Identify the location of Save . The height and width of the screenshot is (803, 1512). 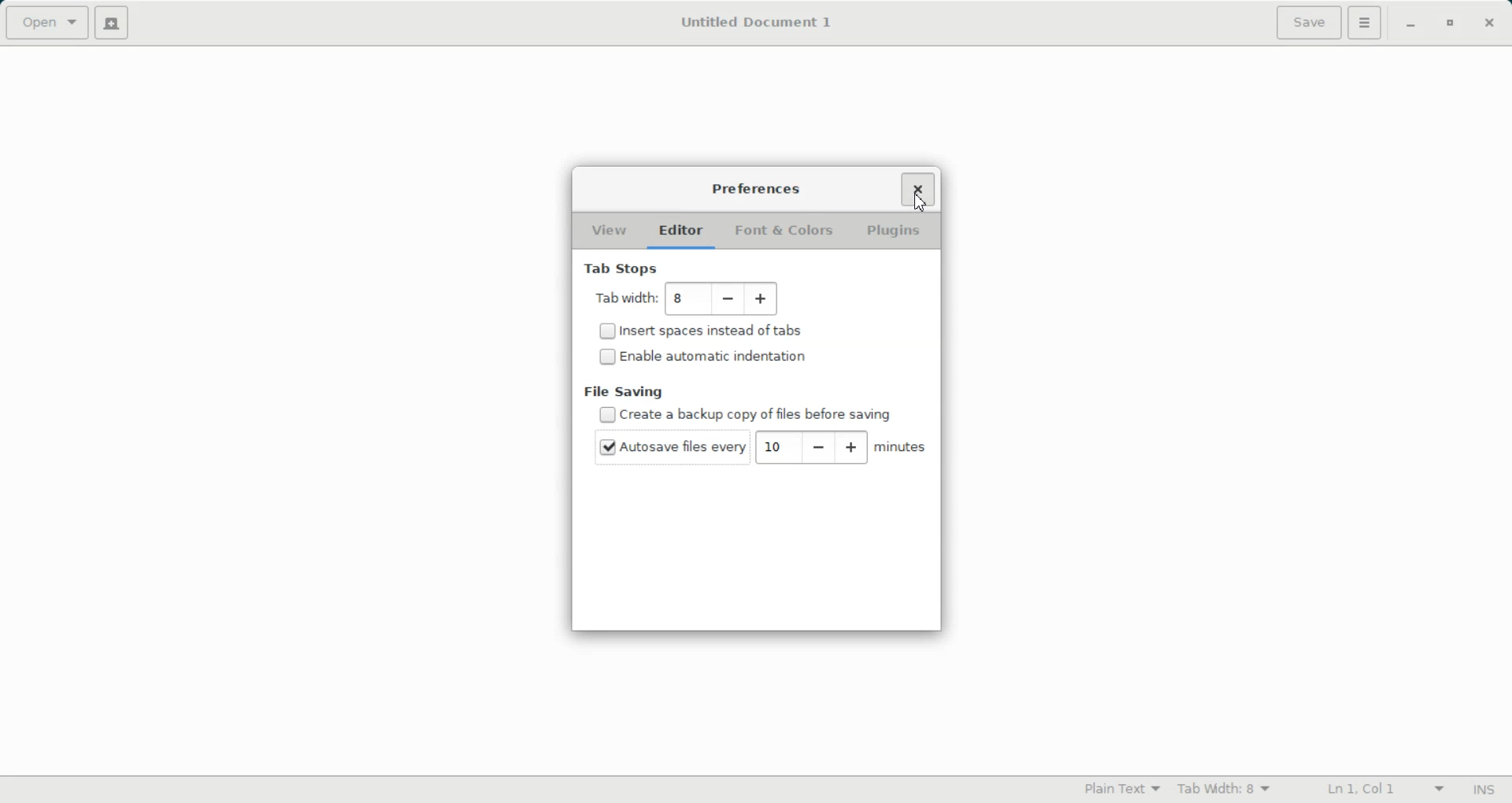
(1309, 23).